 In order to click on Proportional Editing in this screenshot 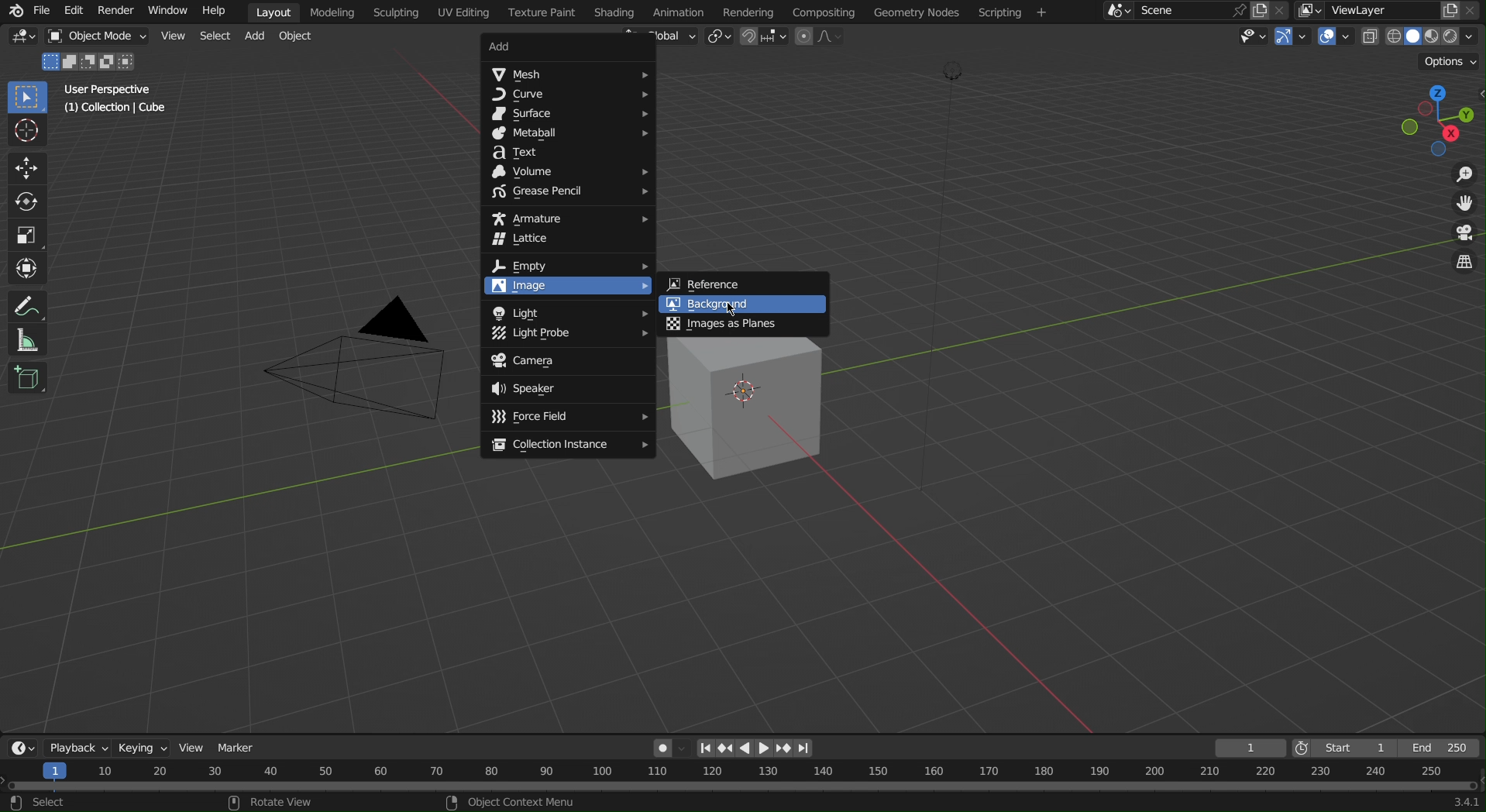, I will do `click(824, 37)`.